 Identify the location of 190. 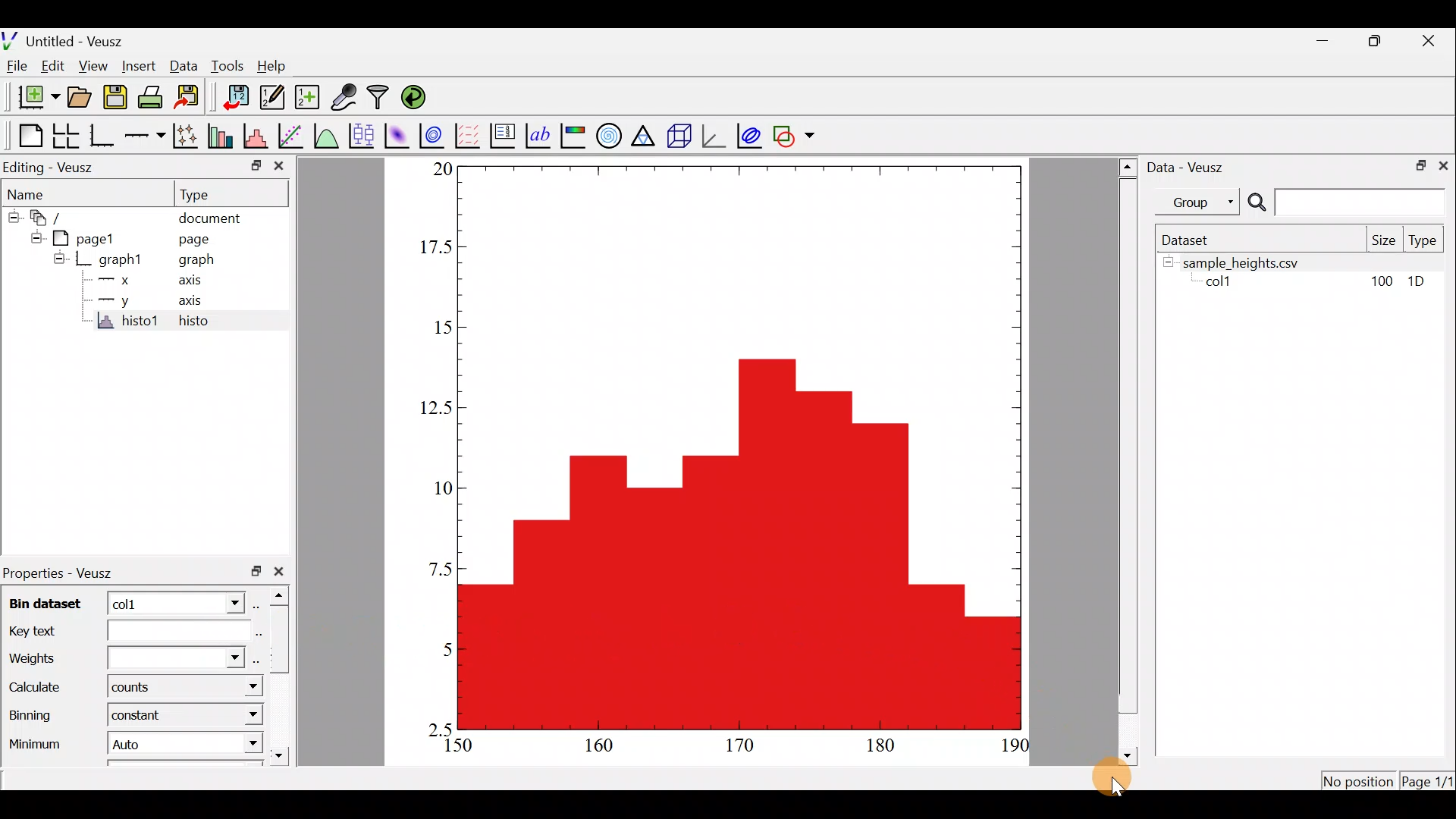
(1016, 747).